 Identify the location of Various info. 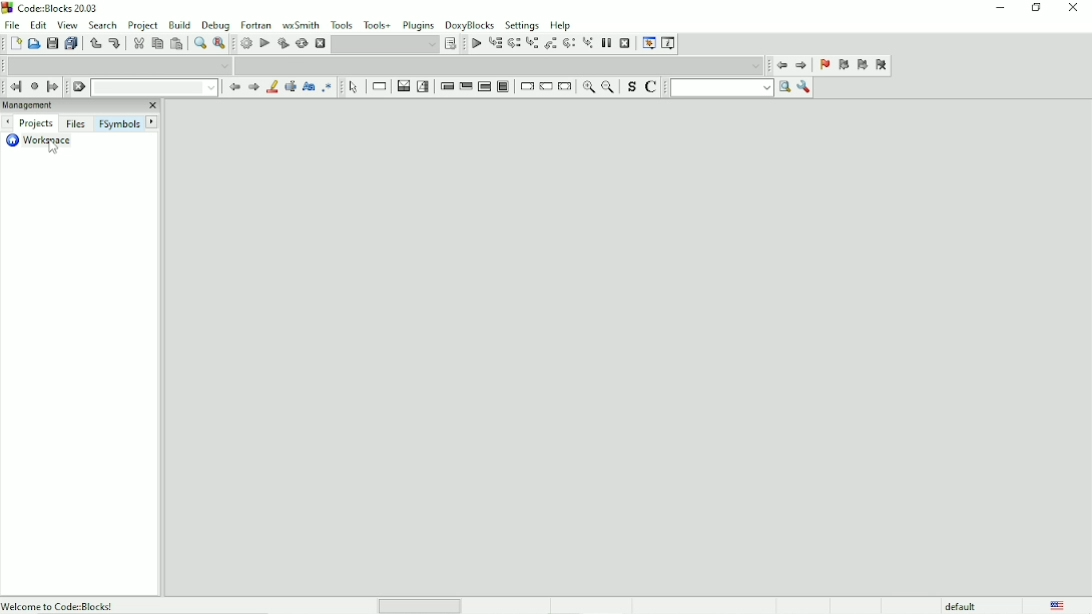
(668, 44).